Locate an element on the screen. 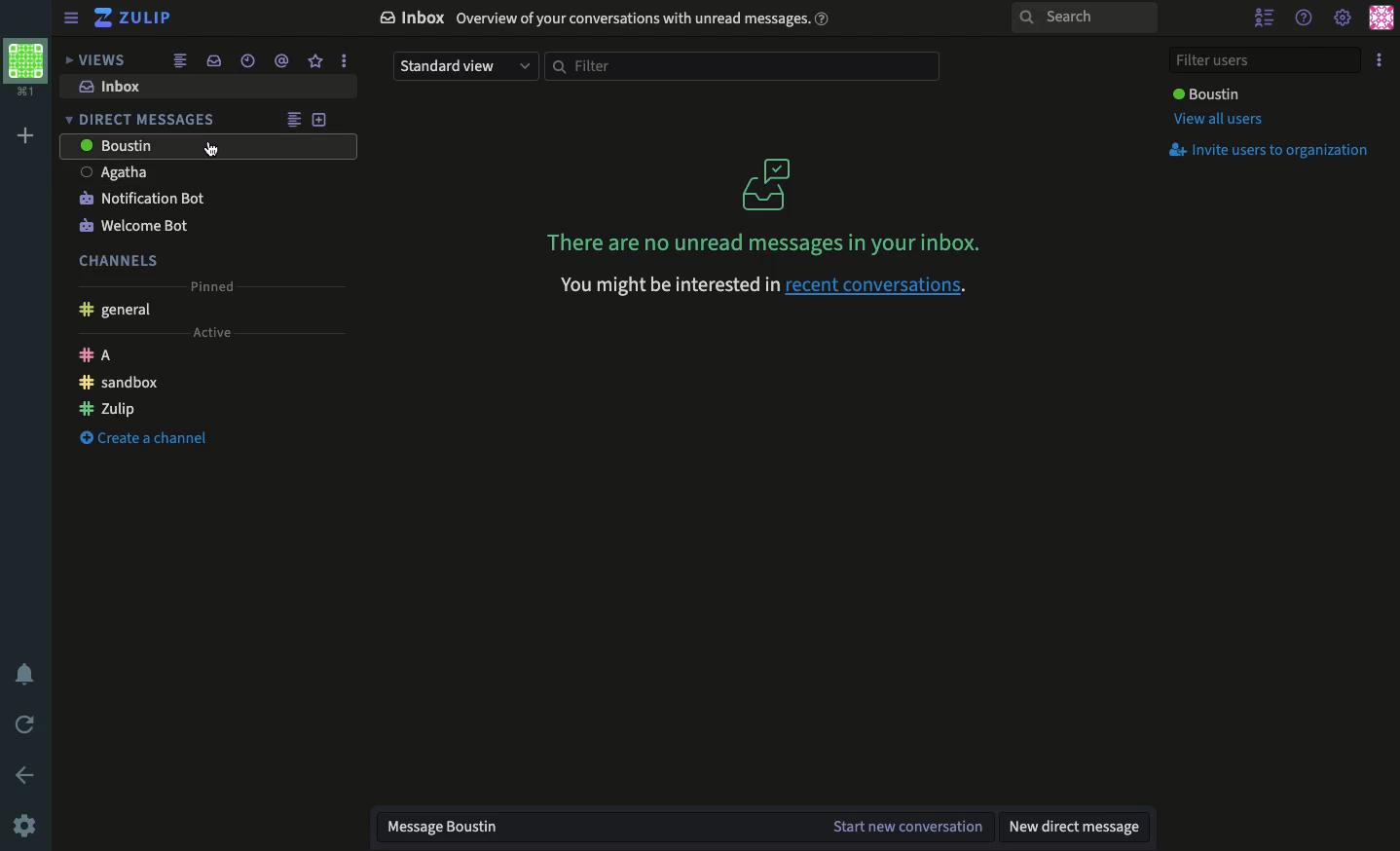 The height and width of the screenshot is (851, 1400). Feed is located at coordinates (293, 118).